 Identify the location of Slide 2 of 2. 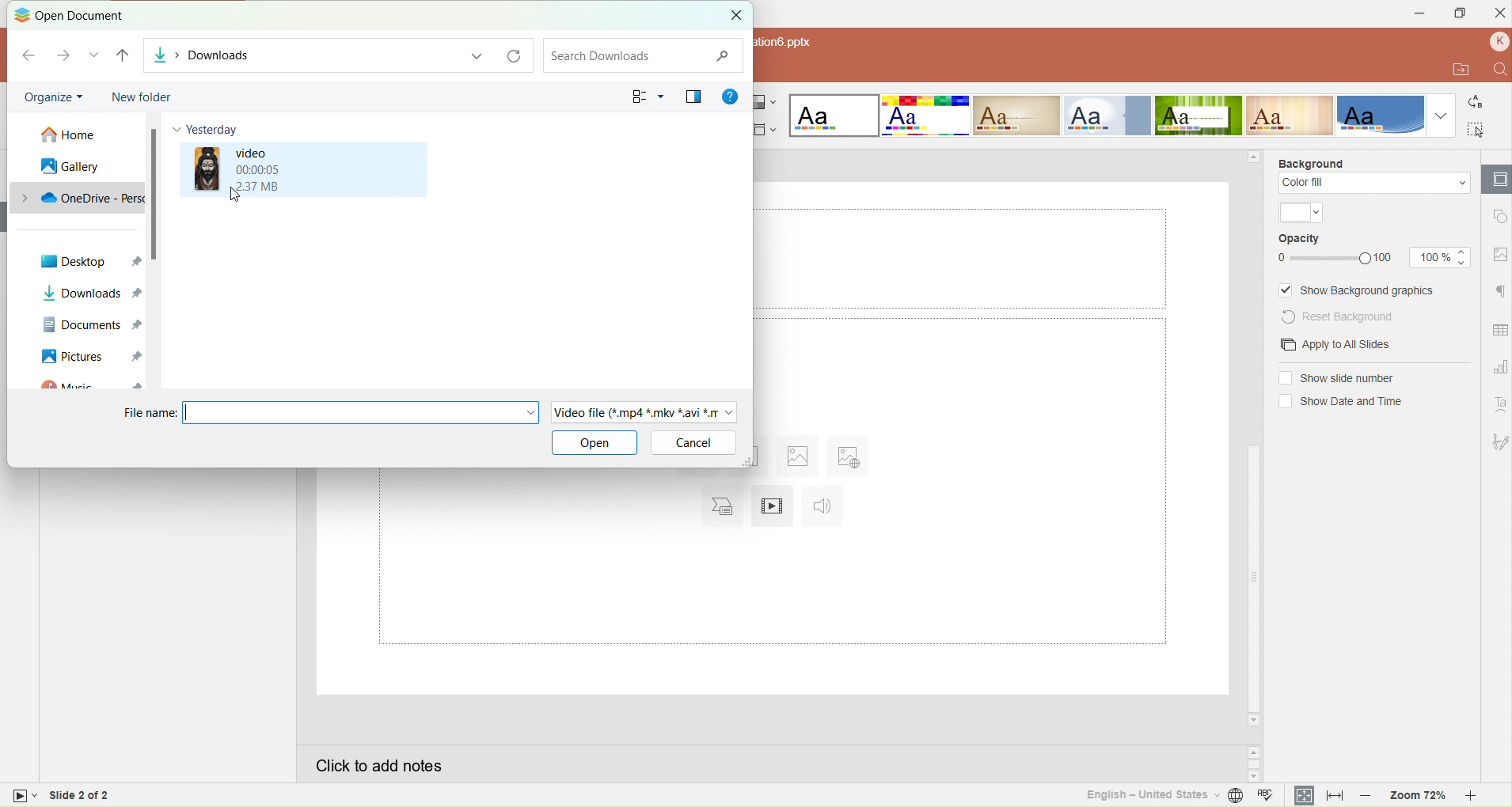
(108, 795).